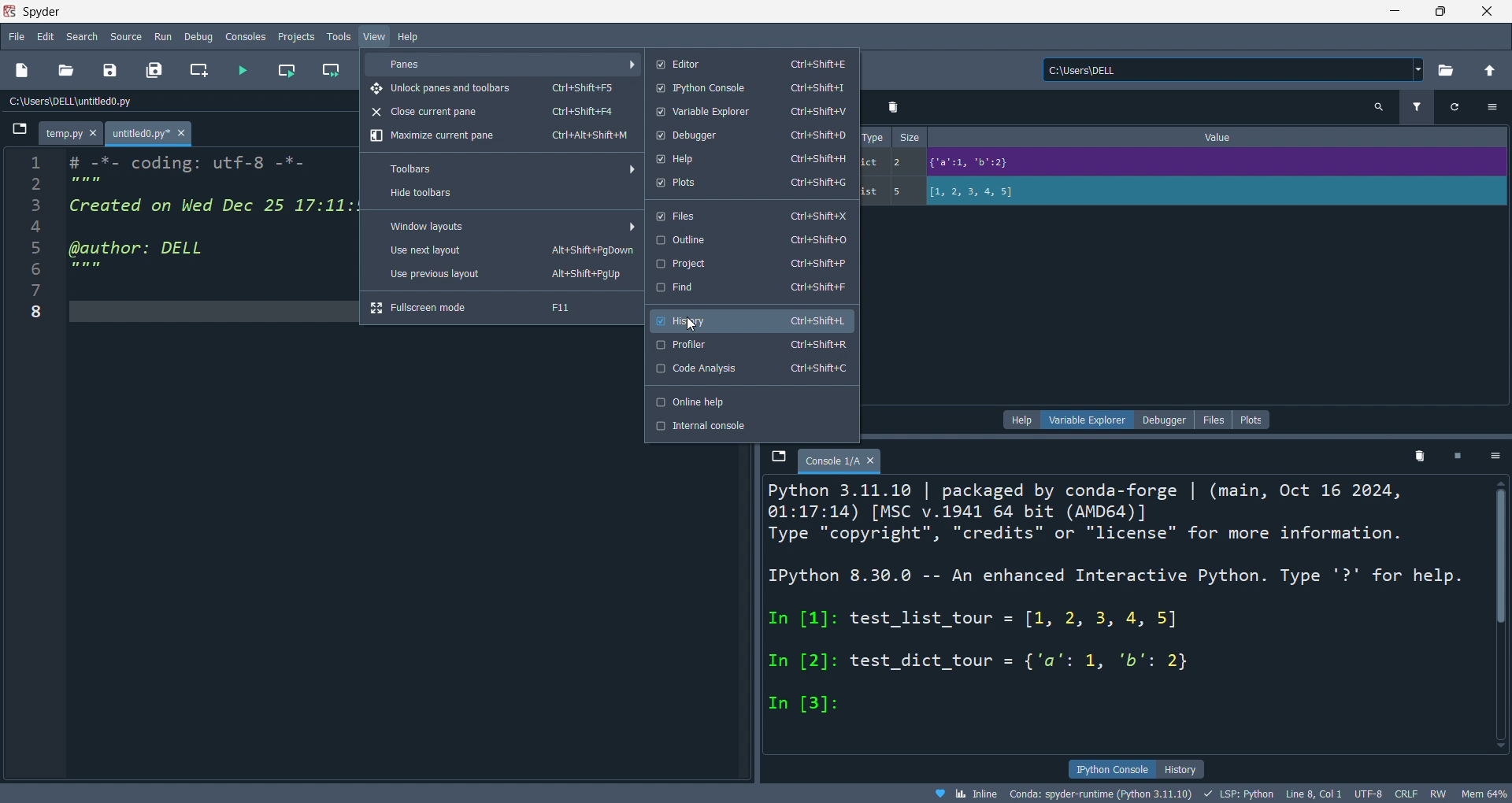  I want to click on edit, so click(46, 36).